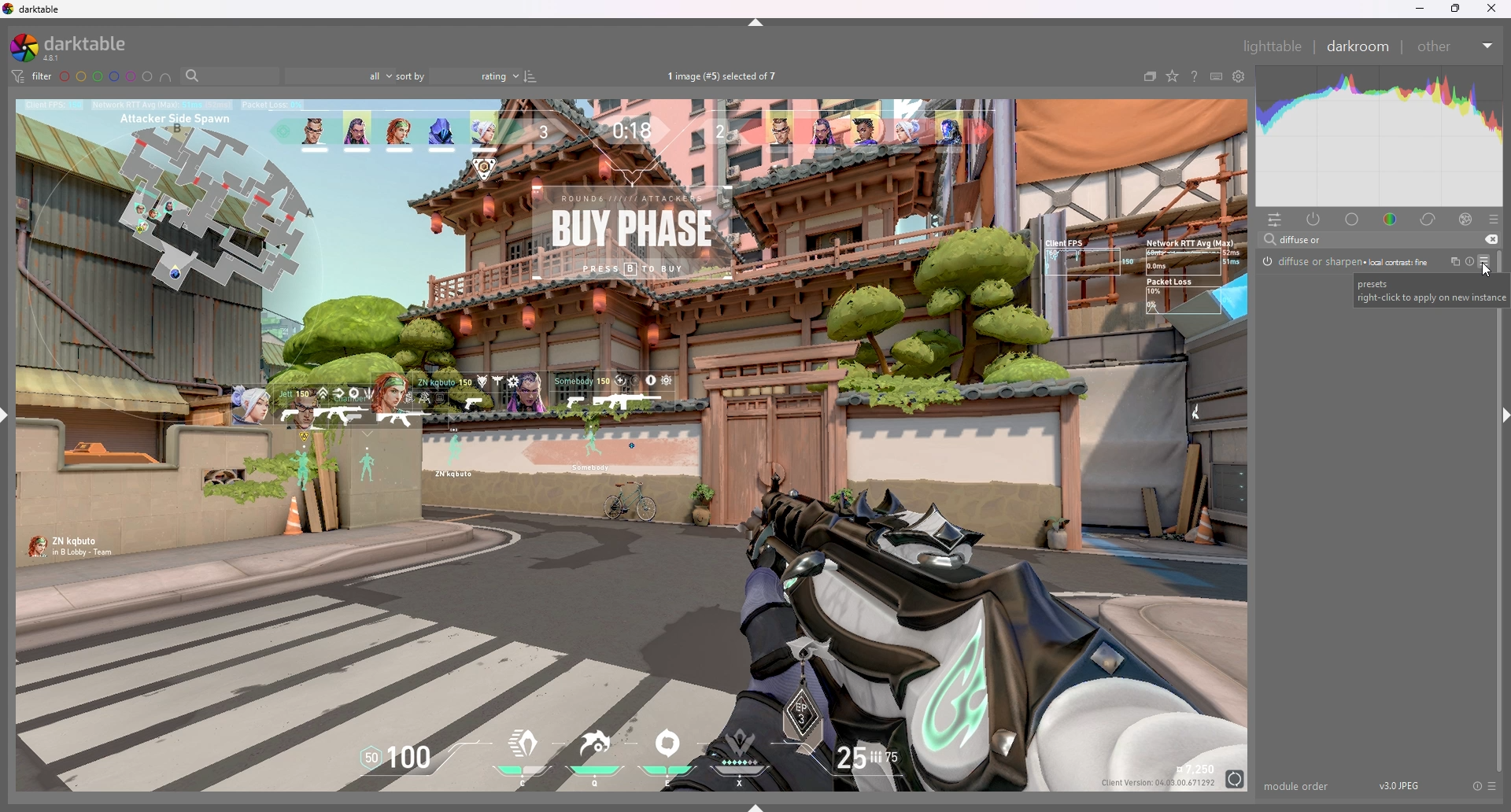  I want to click on lighttable, so click(1275, 47).